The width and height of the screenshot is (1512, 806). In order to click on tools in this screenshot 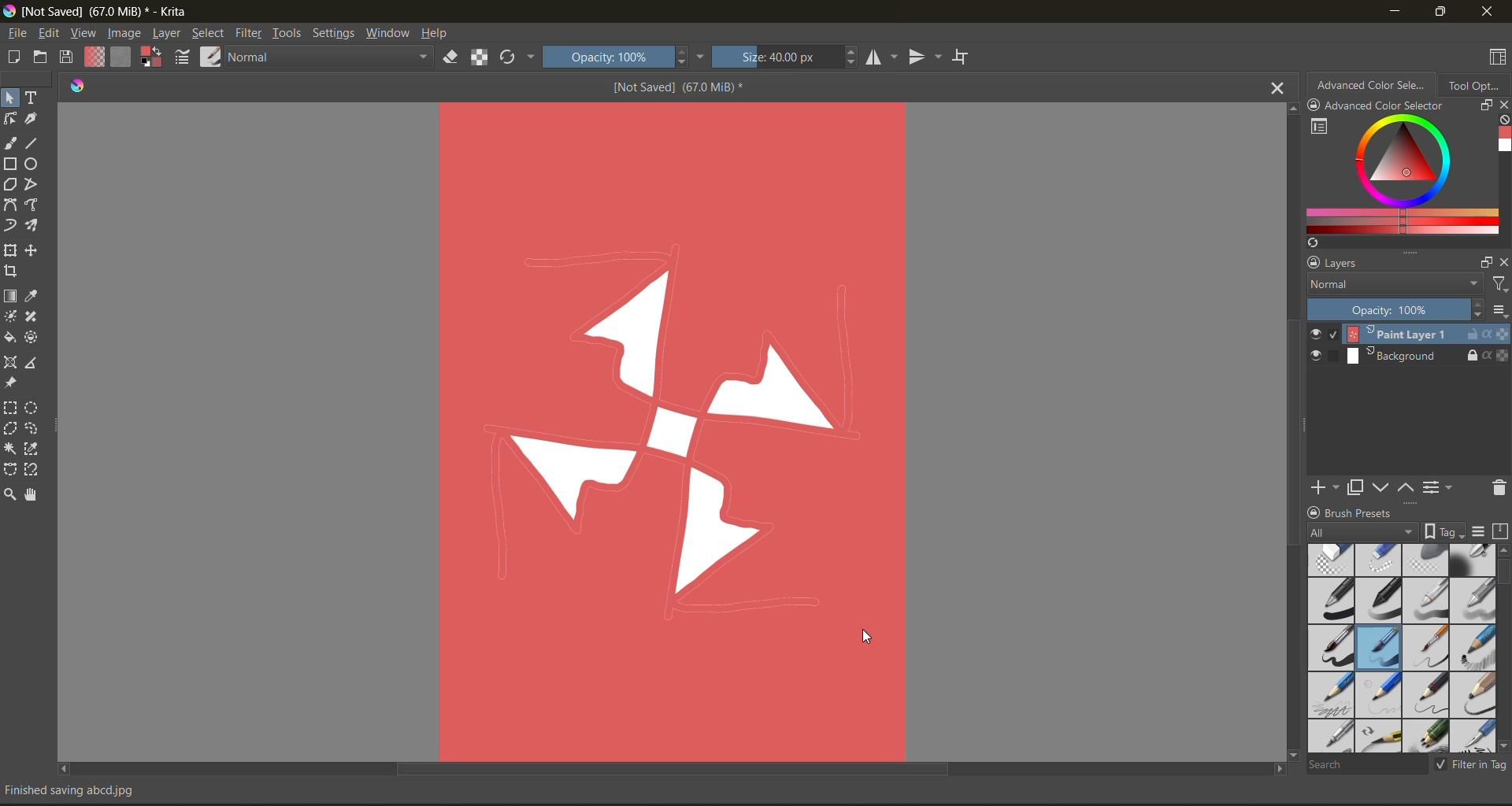, I will do `click(32, 143)`.